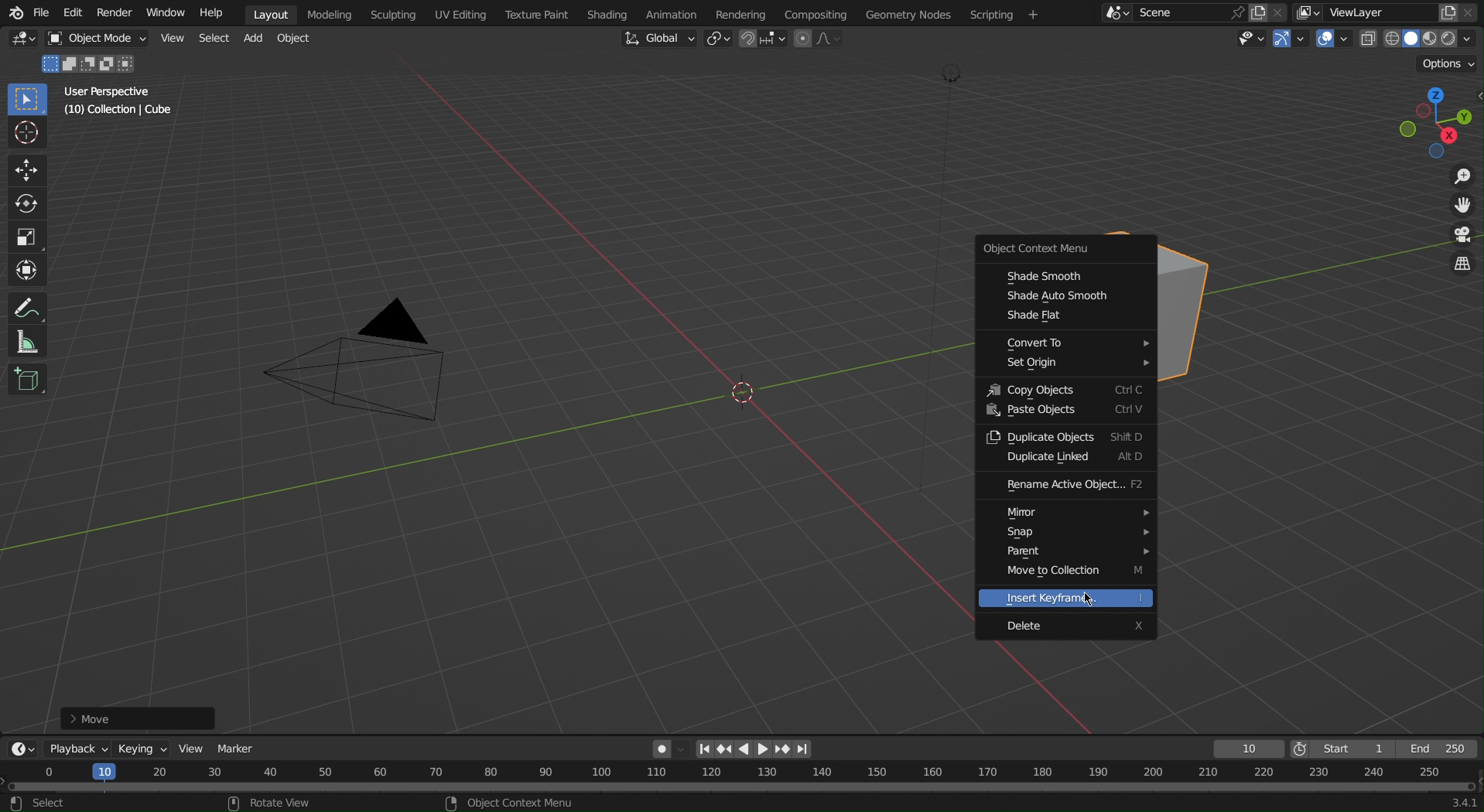 Image resolution: width=1484 pixels, height=812 pixels. What do you see at coordinates (1450, 63) in the screenshot?
I see `Options` at bounding box center [1450, 63].